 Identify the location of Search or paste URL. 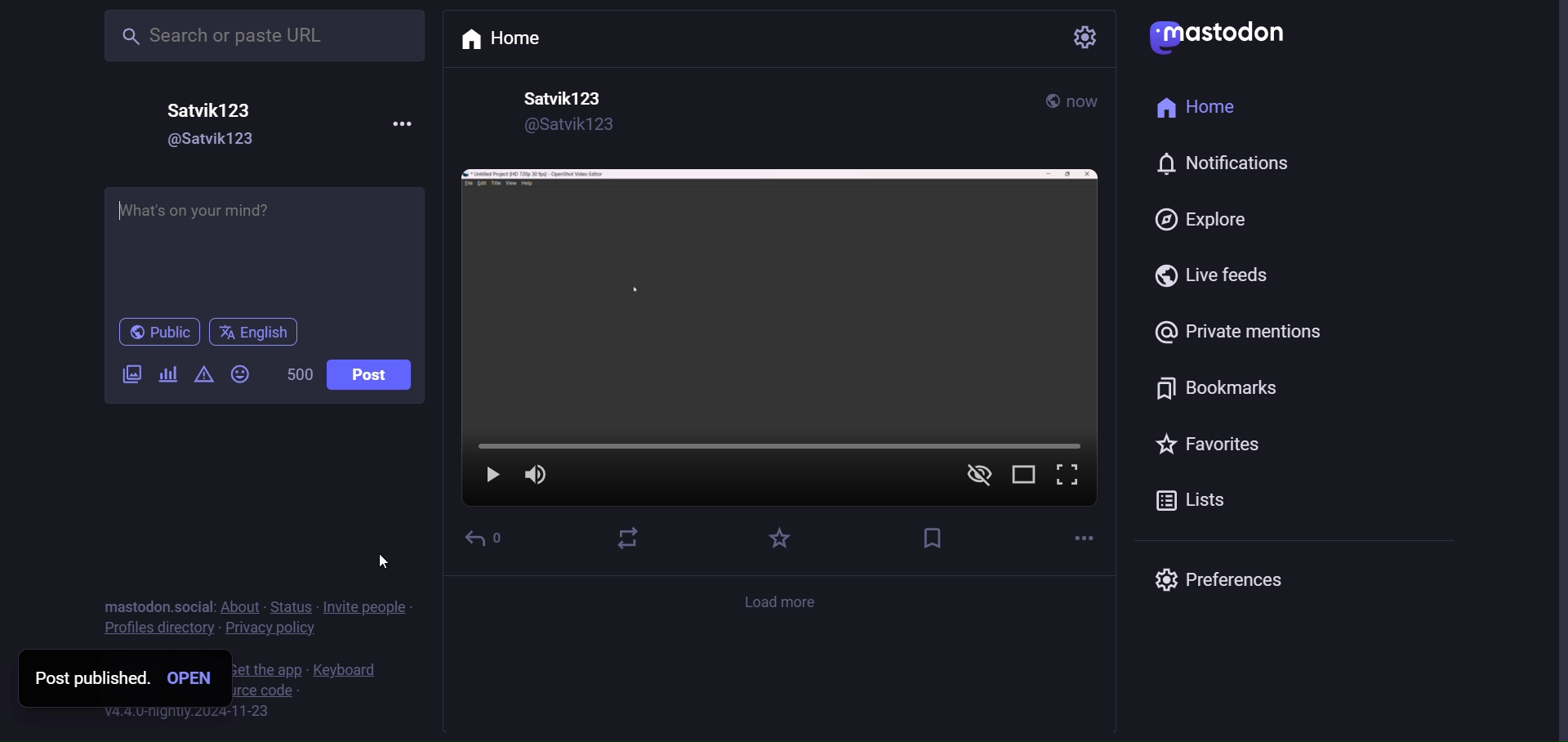
(263, 35).